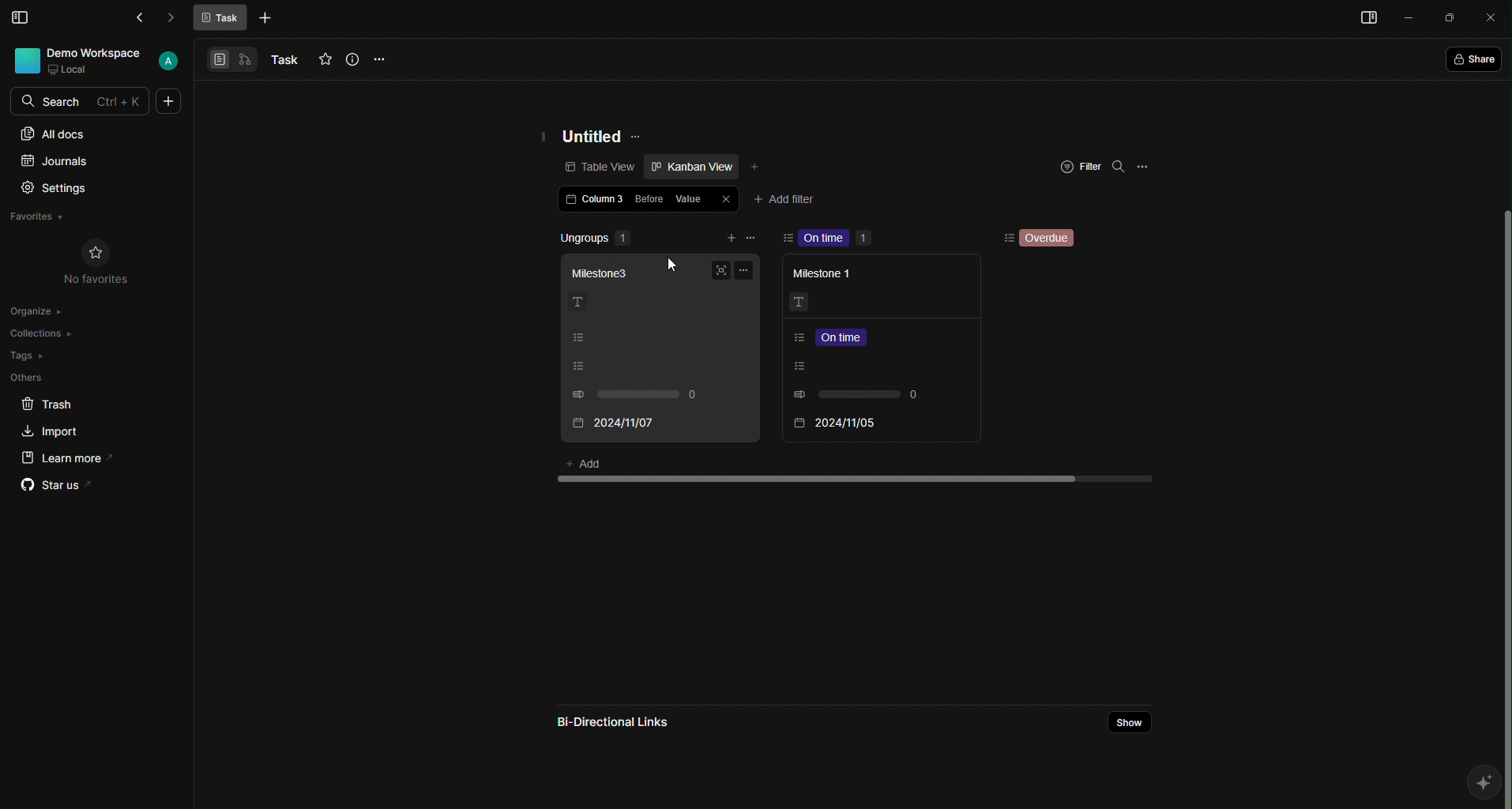 The height and width of the screenshot is (809, 1512). Describe the element at coordinates (724, 198) in the screenshot. I see `Close` at that location.